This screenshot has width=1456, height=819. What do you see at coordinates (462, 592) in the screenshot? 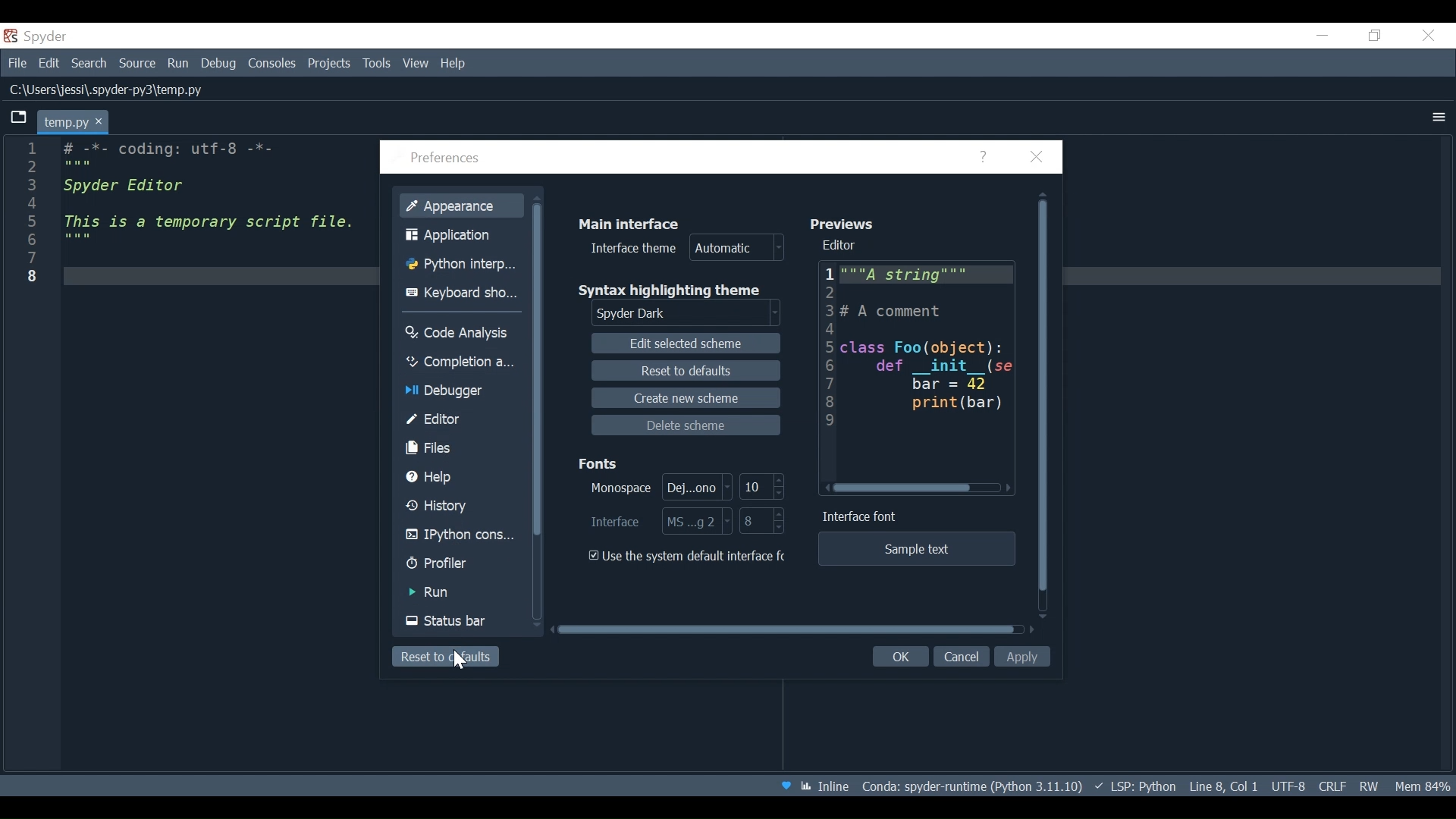
I see `Run` at bounding box center [462, 592].